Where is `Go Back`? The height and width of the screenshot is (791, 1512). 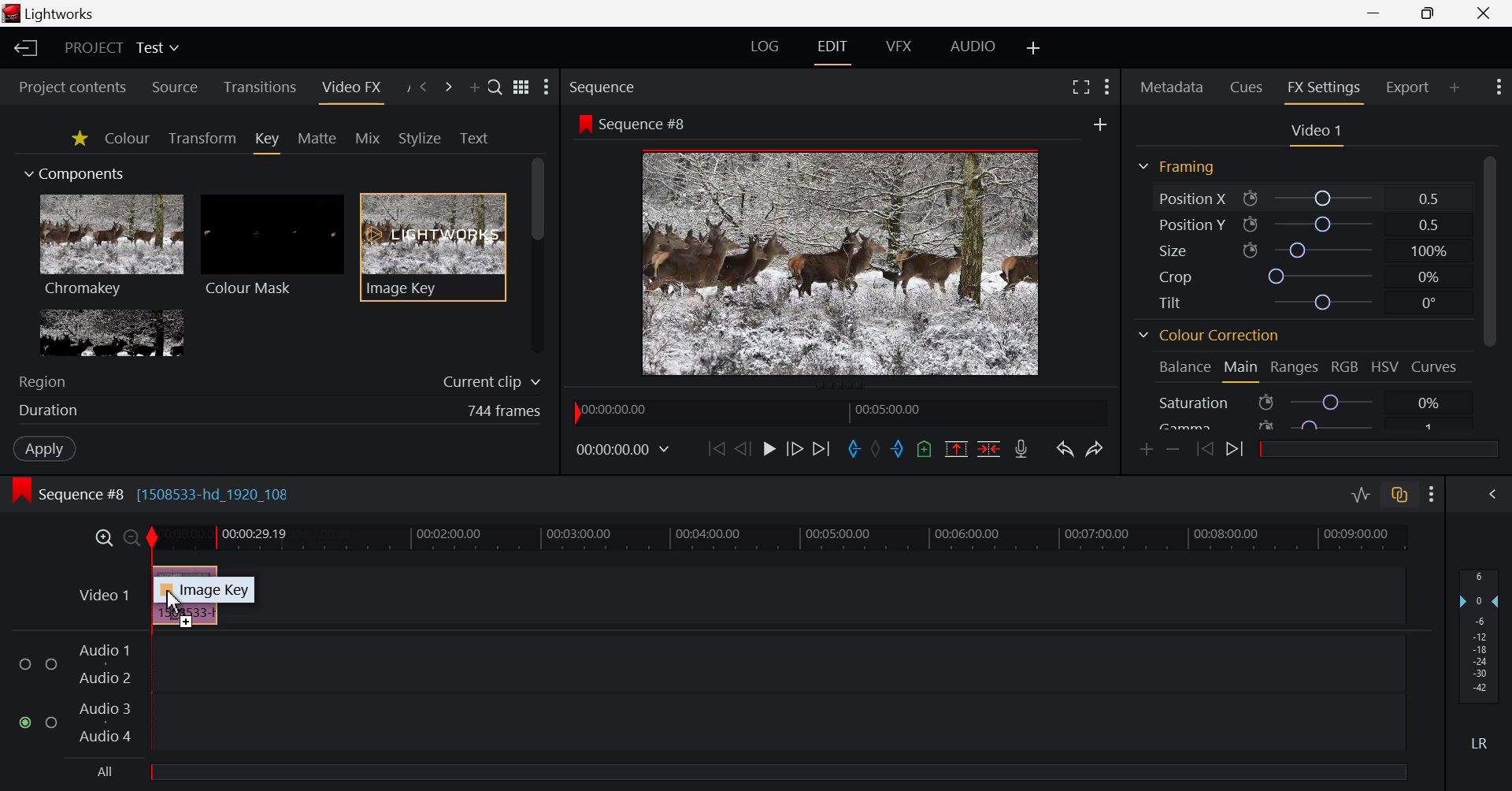 Go Back is located at coordinates (743, 448).